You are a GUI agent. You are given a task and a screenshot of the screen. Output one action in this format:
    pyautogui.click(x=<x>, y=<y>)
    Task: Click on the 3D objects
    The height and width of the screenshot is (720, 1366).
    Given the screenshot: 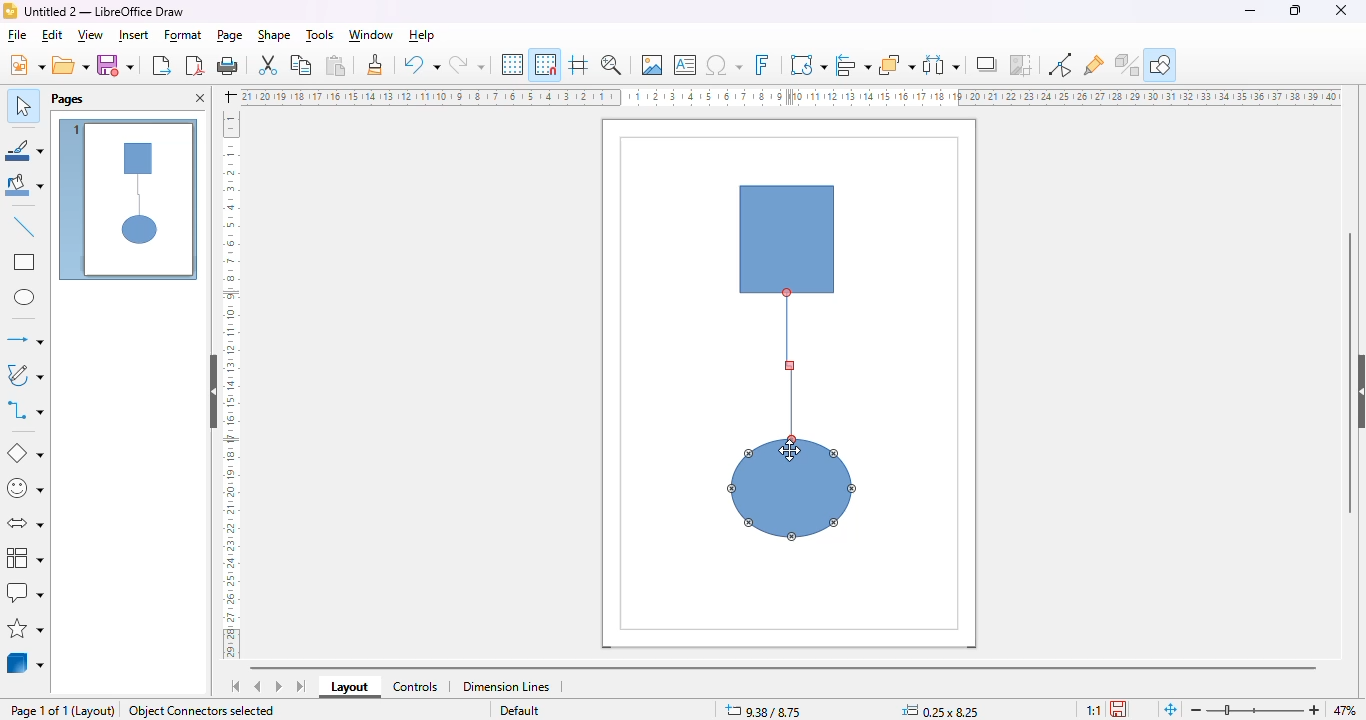 What is the action you would take?
    pyautogui.click(x=26, y=662)
    